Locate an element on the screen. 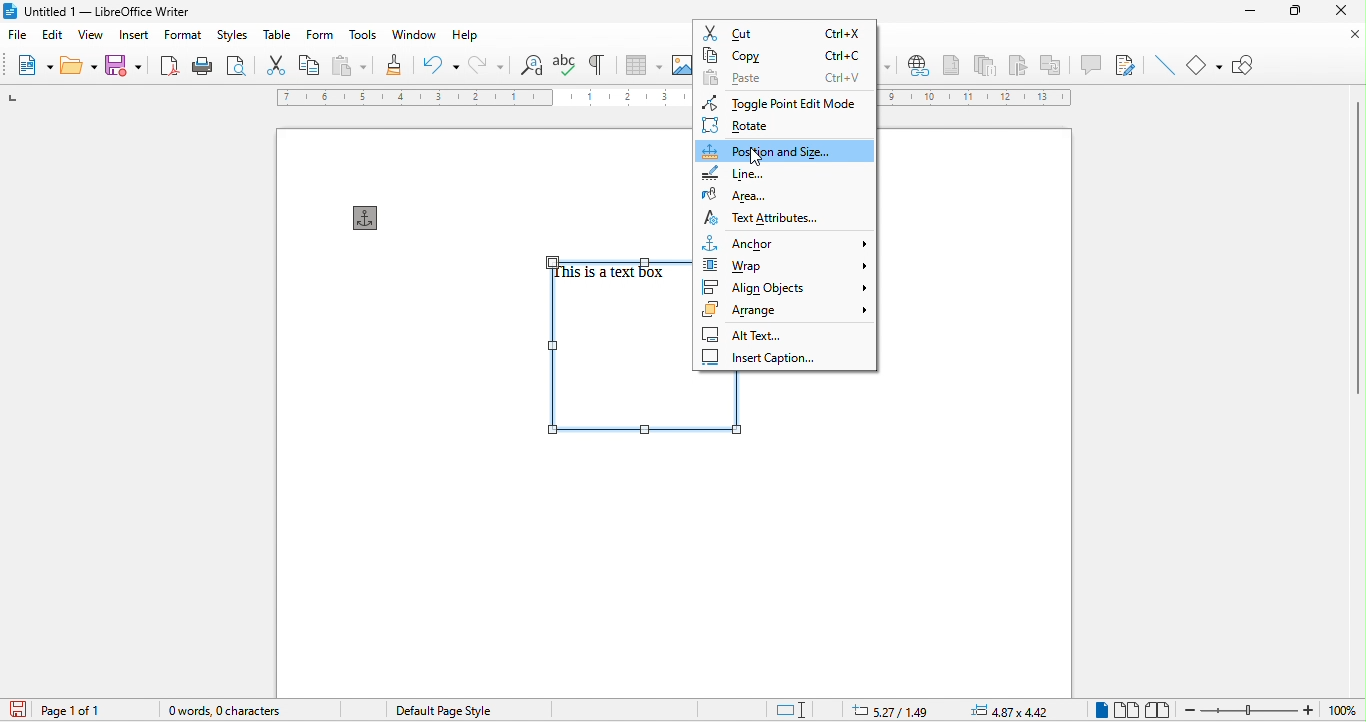 This screenshot has width=1366, height=722. untitied | — Libreoffice writer is located at coordinates (124, 12).